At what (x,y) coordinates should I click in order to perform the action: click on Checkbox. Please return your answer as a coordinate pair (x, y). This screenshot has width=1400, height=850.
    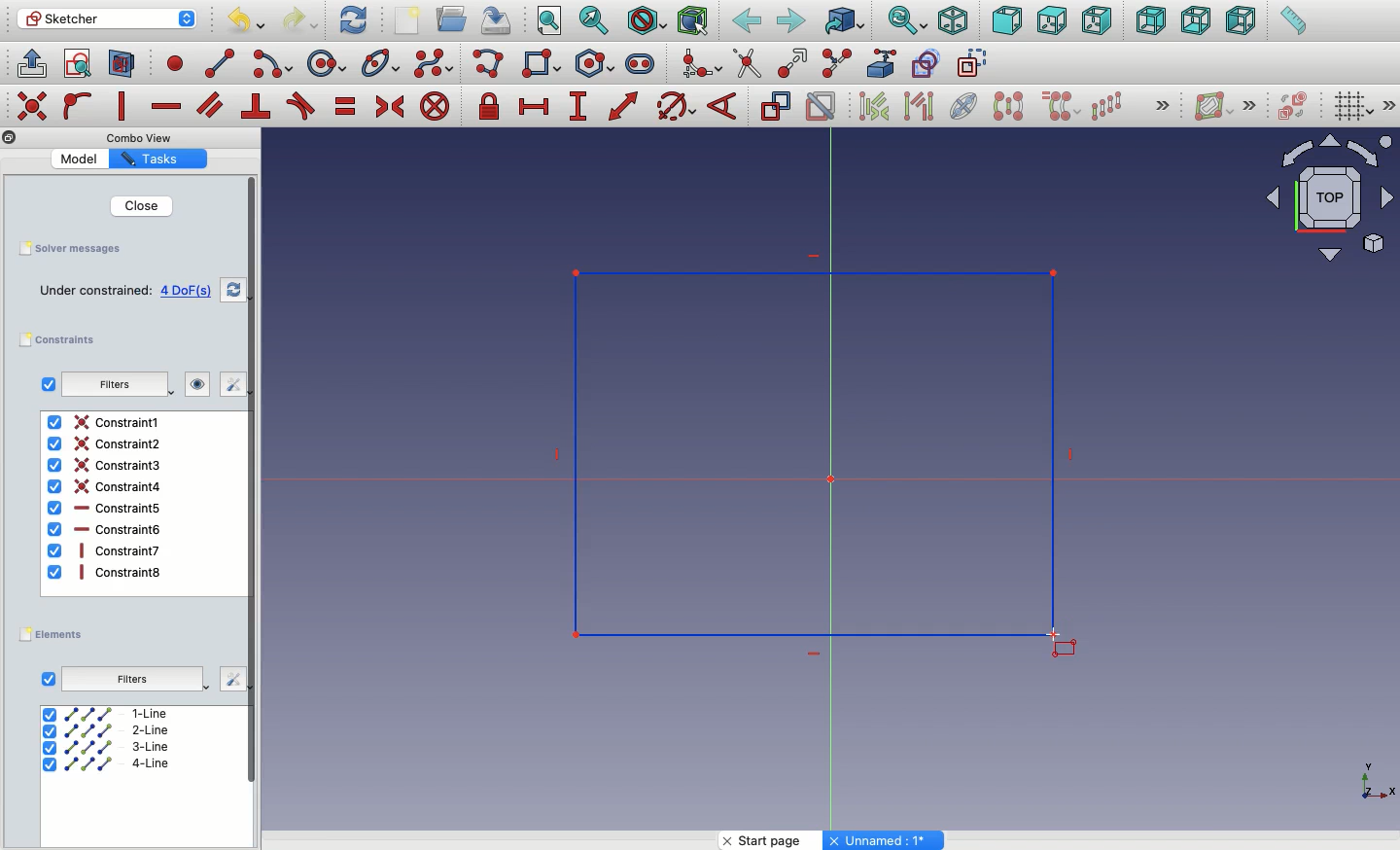
    Looking at the image, I should click on (49, 680).